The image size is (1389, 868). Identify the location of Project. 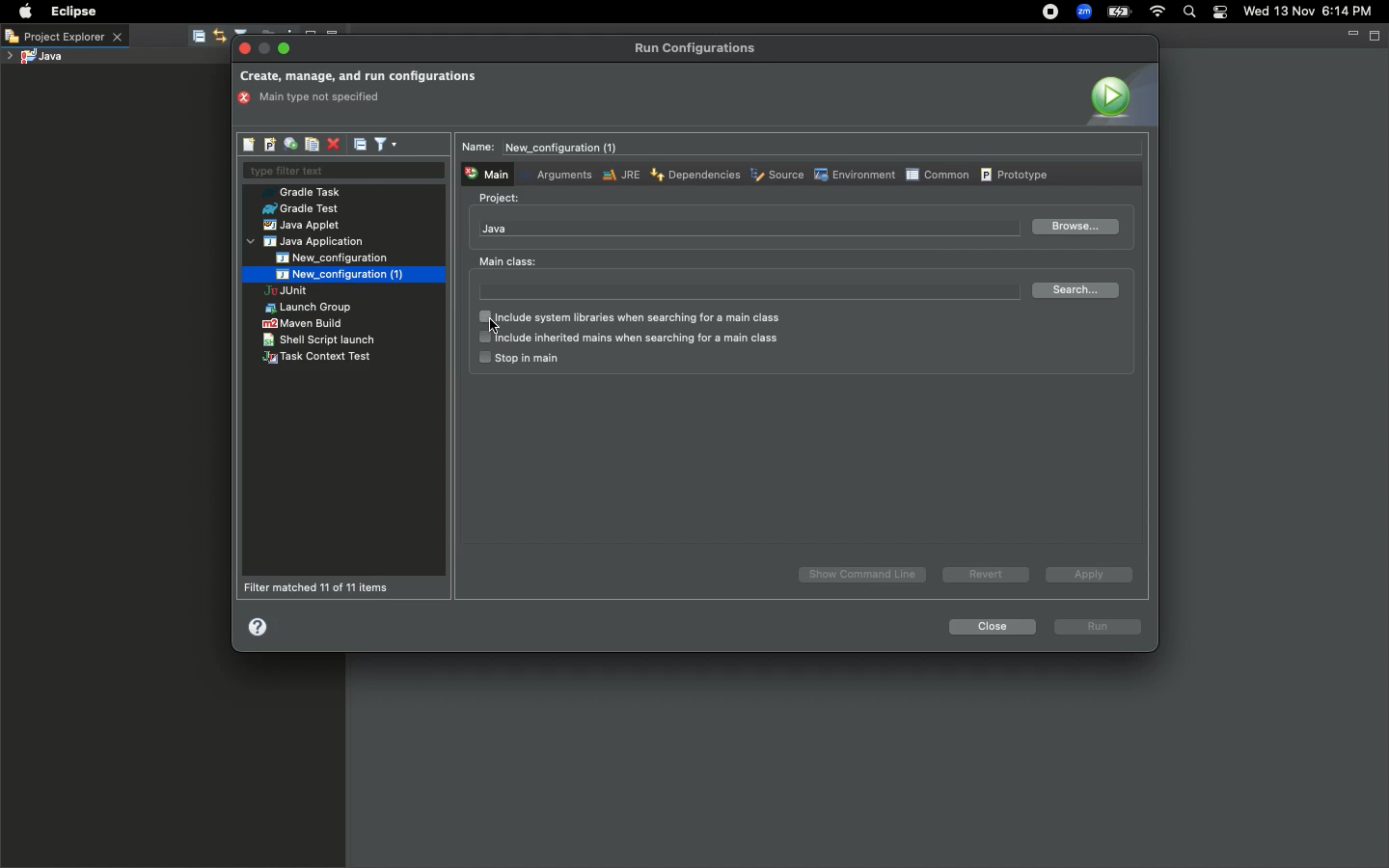
(500, 199).